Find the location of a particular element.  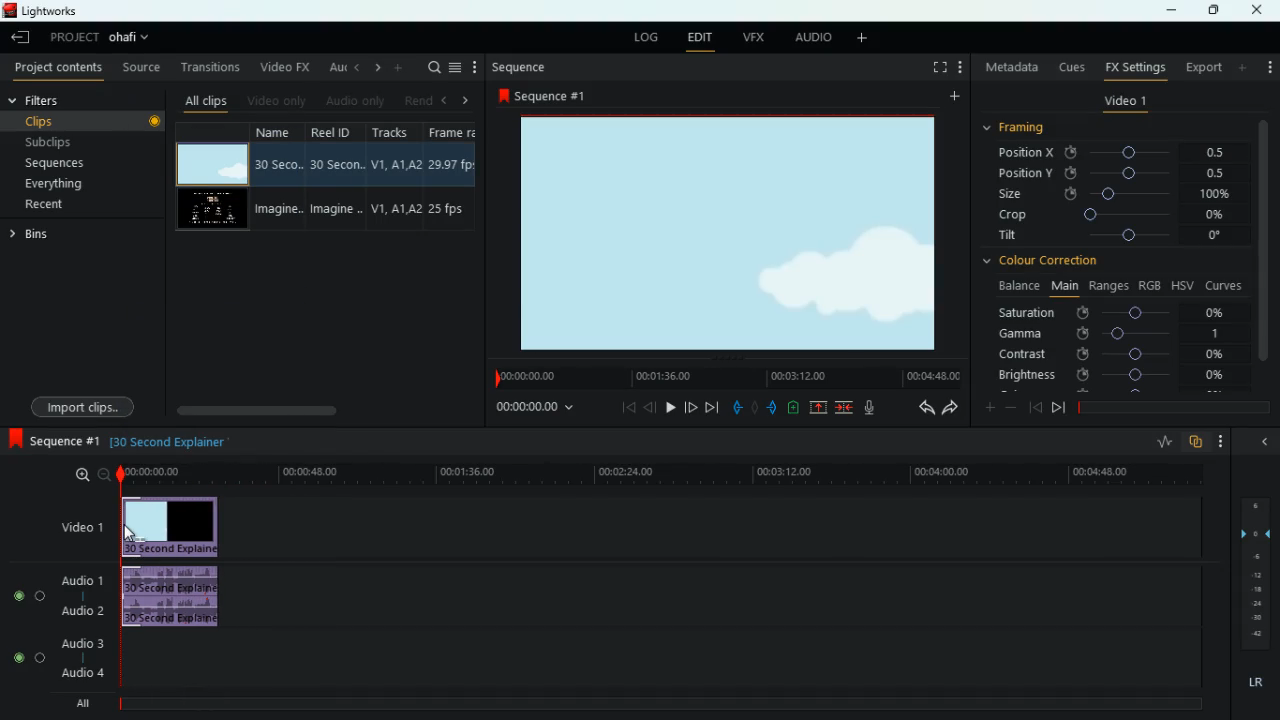

forward is located at coordinates (950, 407).